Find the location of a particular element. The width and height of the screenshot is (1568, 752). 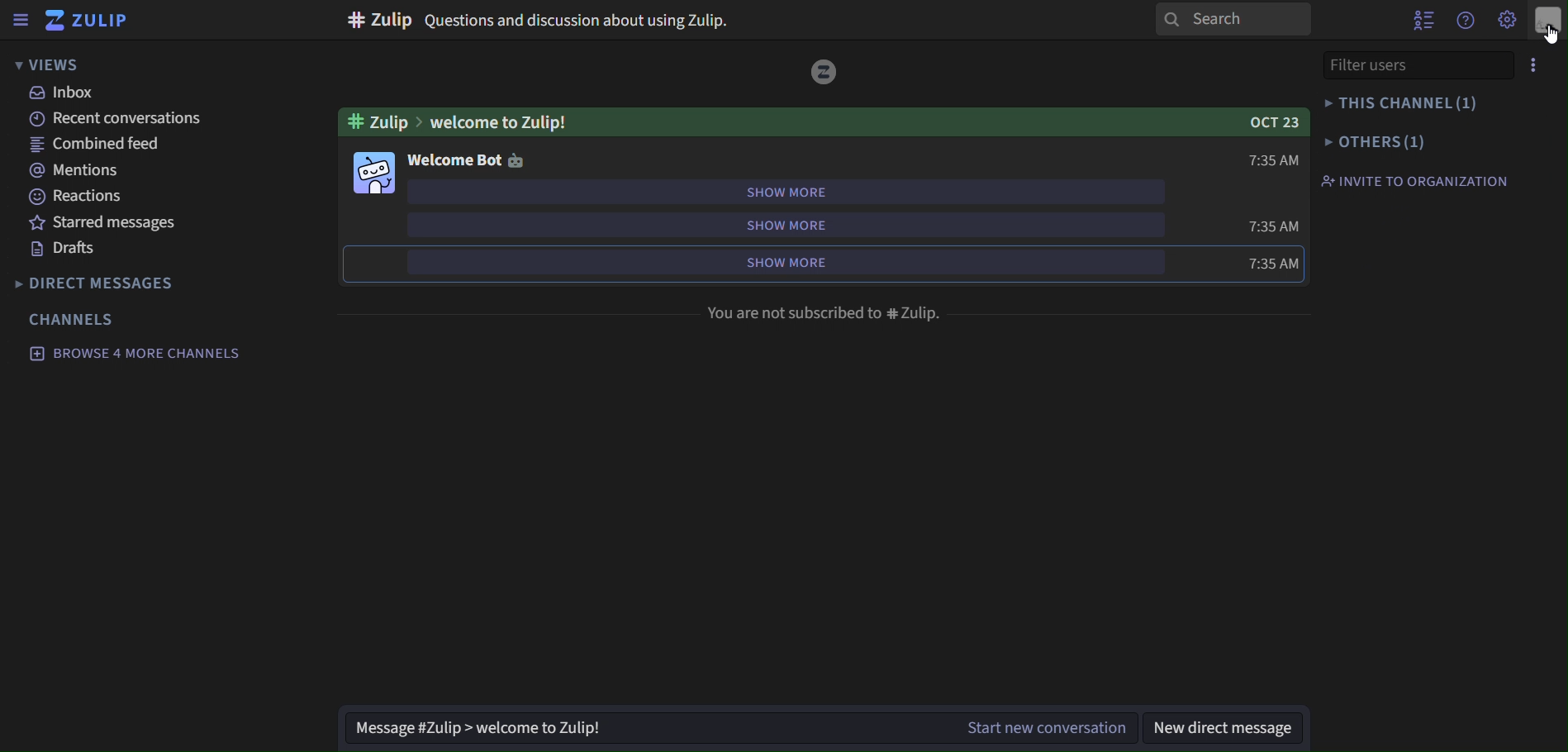

image is located at coordinates (824, 70).